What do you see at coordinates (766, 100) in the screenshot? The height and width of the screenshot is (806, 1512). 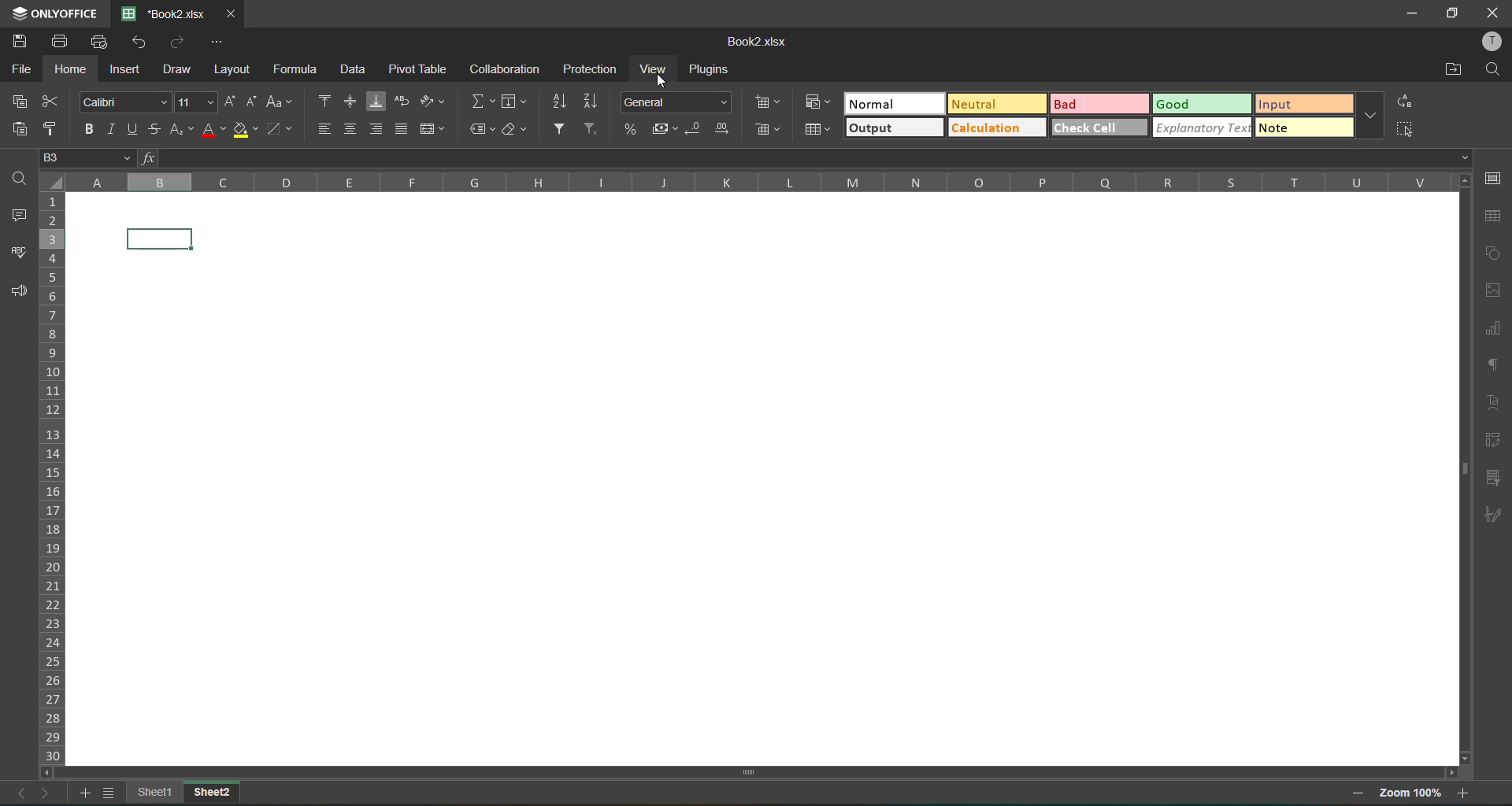 I see `insert cells` at bounding box center [766, 100].